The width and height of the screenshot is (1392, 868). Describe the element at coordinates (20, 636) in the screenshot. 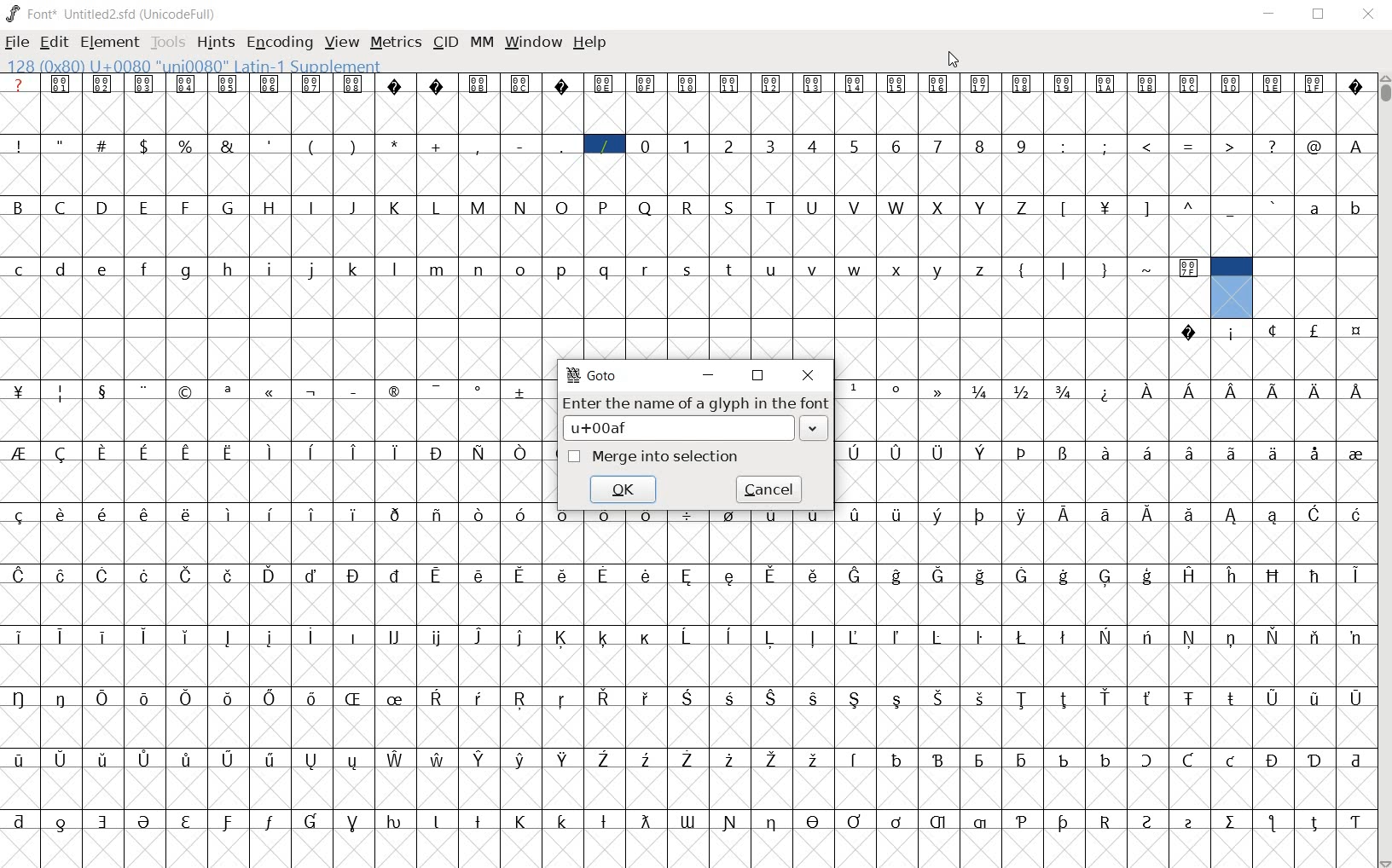

I see `Symbol` at that location.